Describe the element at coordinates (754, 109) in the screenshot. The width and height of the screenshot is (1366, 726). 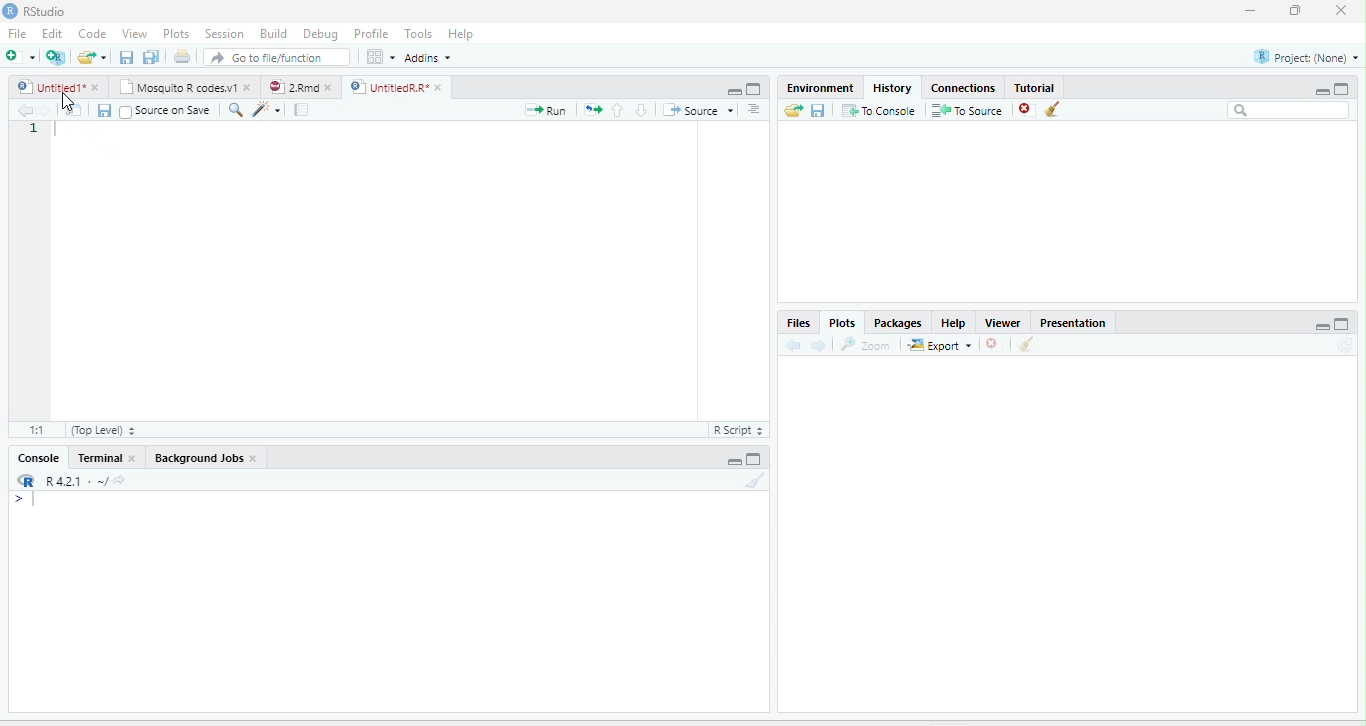
I see `Show document outline` at that location.